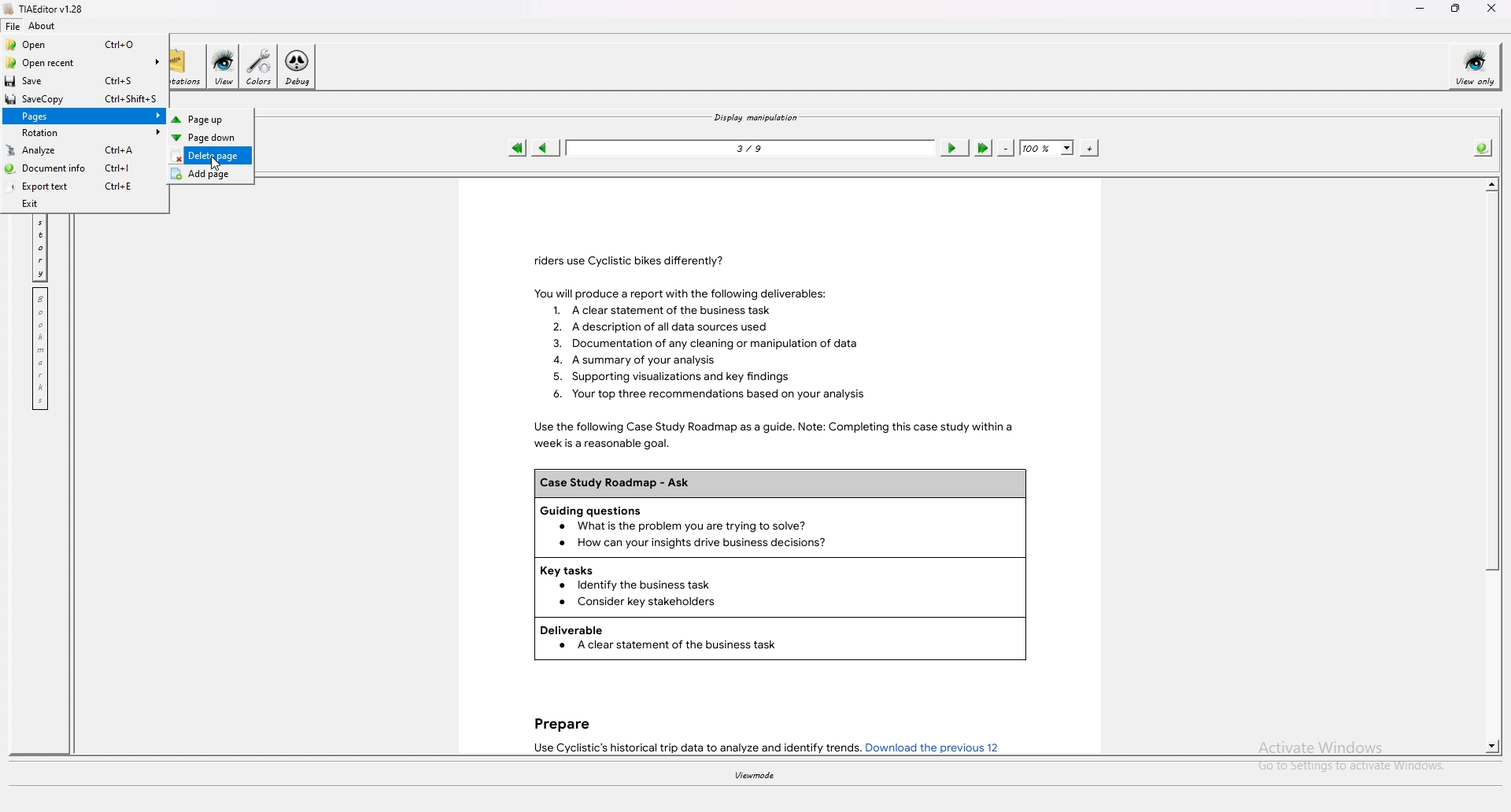 The height and width of the screenshot is (812, 1511). Describe the element at coordinates (82, 150) in the screenshot. I see `Analyze Ctrl+A` at that location.